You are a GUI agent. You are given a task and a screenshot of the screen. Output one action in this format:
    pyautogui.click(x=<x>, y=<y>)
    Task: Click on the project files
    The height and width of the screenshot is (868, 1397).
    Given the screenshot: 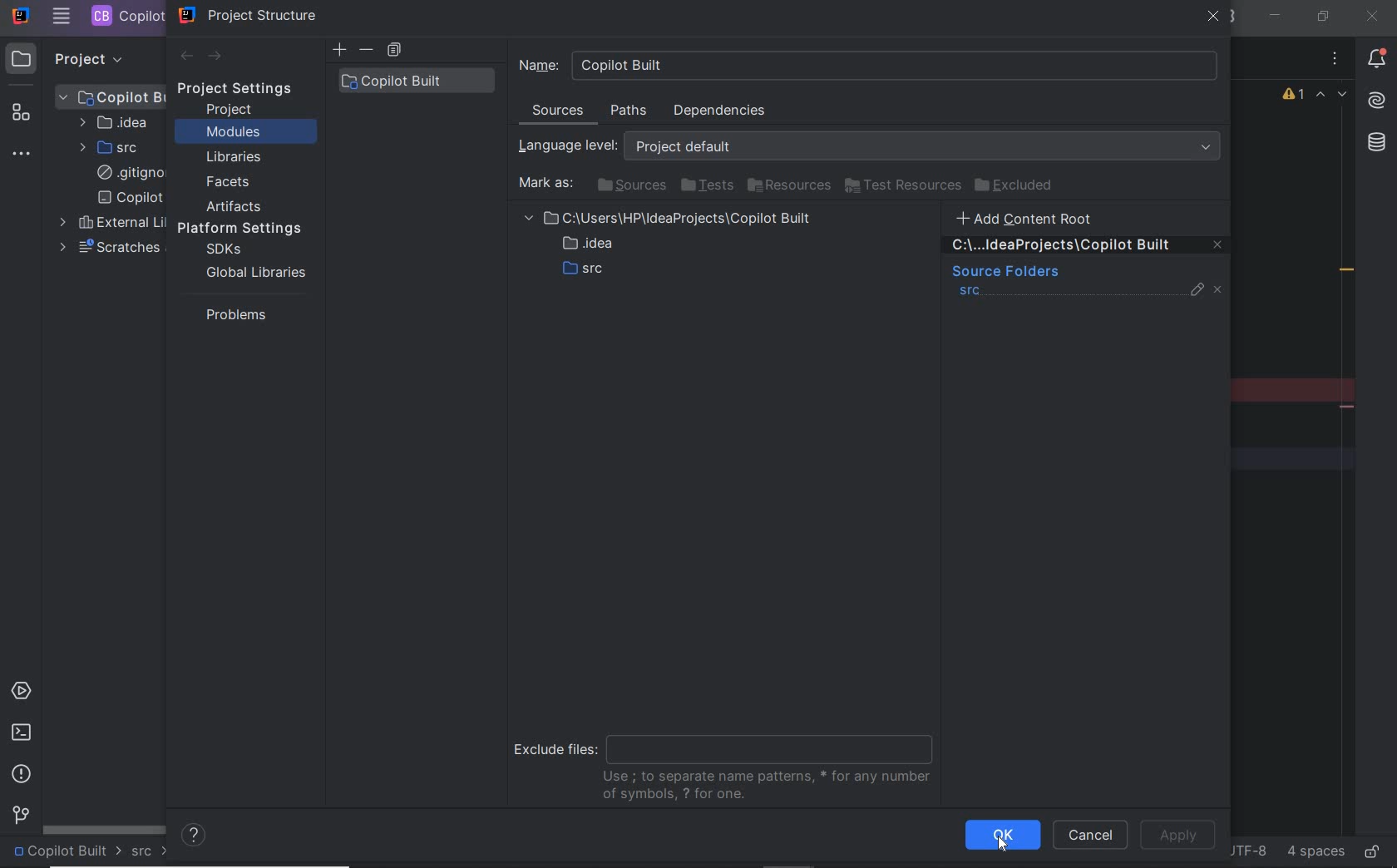 What is the action you would take?
    pyautogui.click(x=672, y=247)
    